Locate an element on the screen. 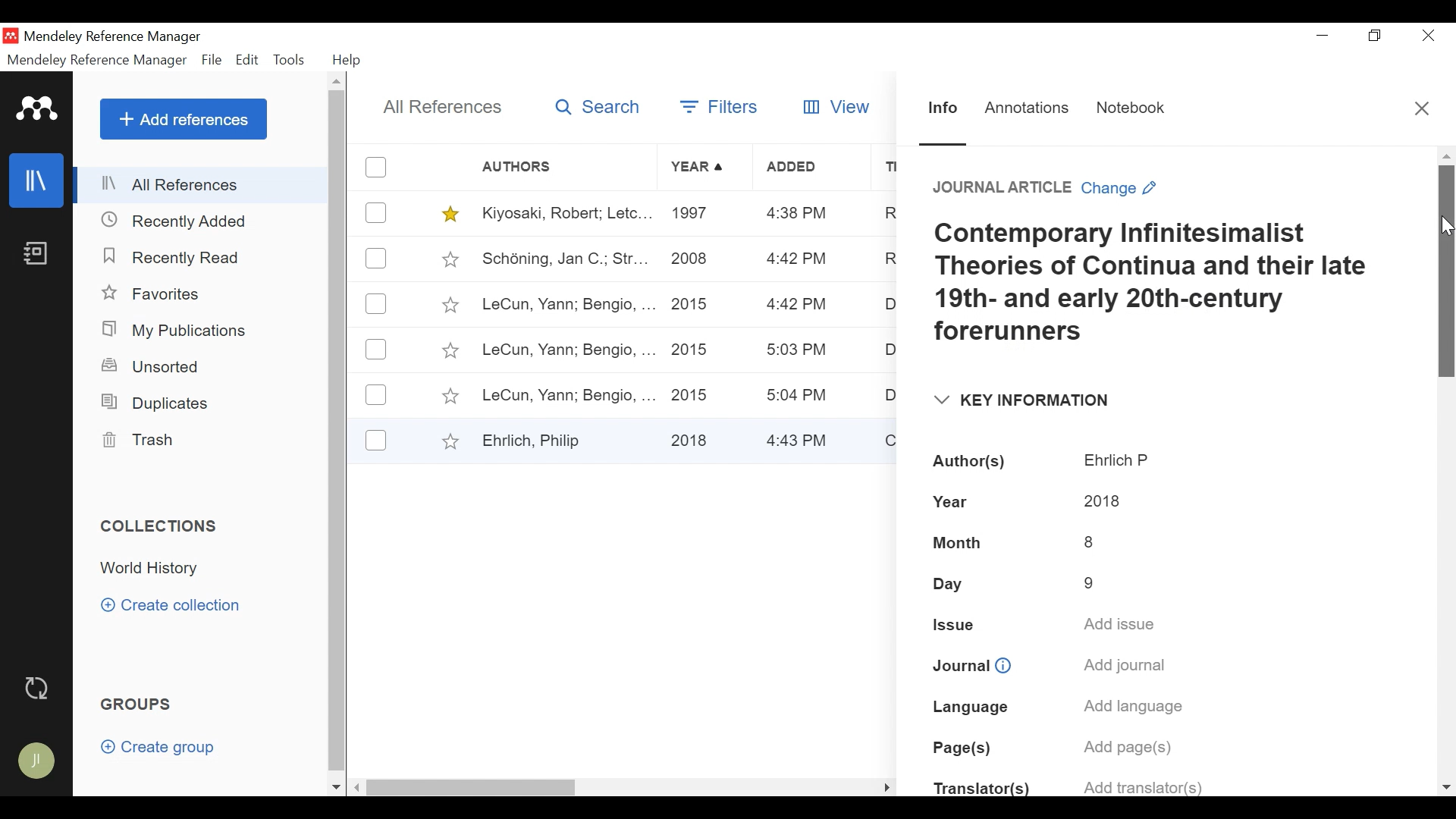 The width and height of the screenshot is (1456, 819). Kiyosaki, Robert; Letc... is located at coordinates (564, 214).